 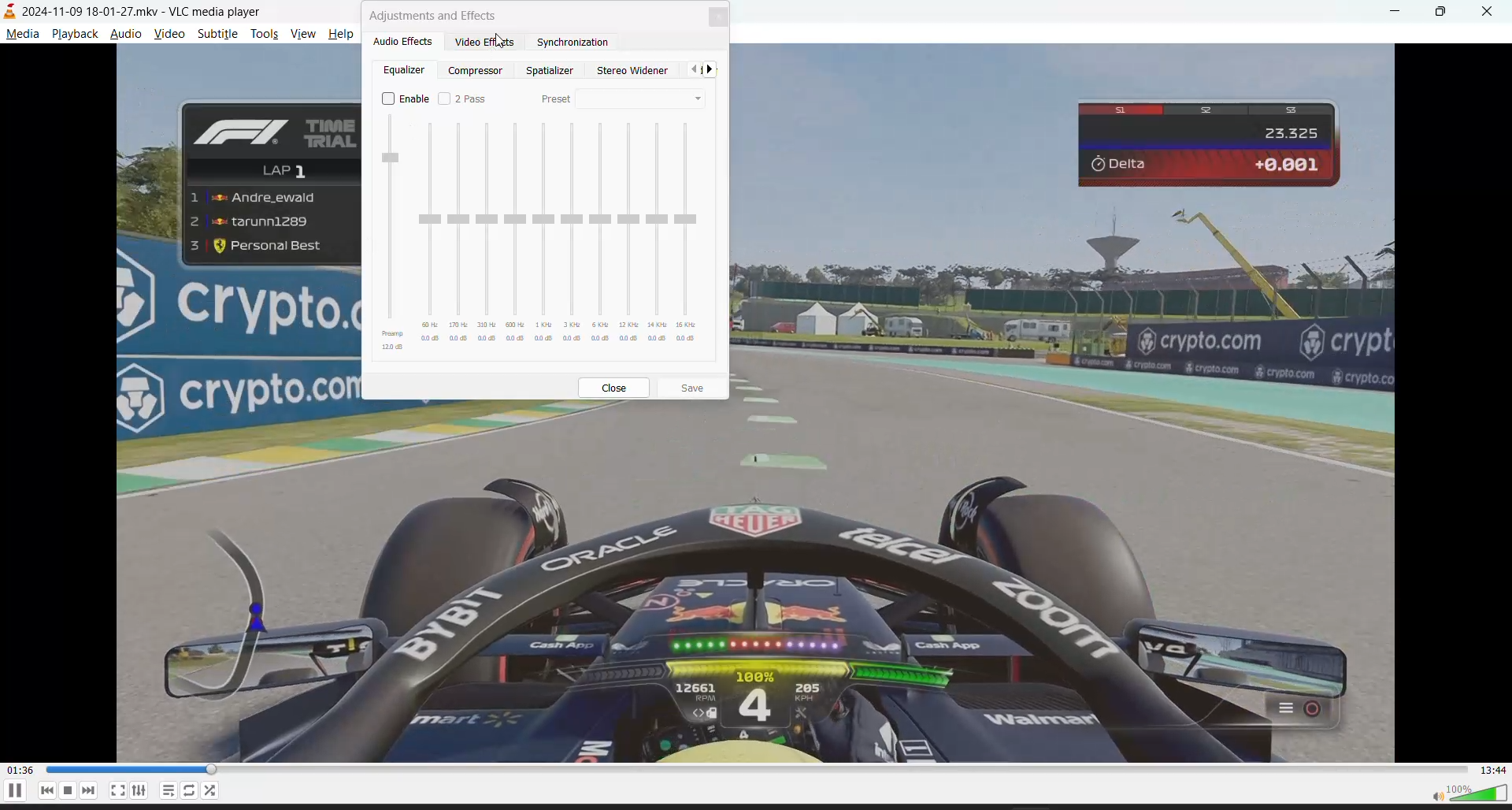 I want to click on current track time, so click(x=20, y=770).